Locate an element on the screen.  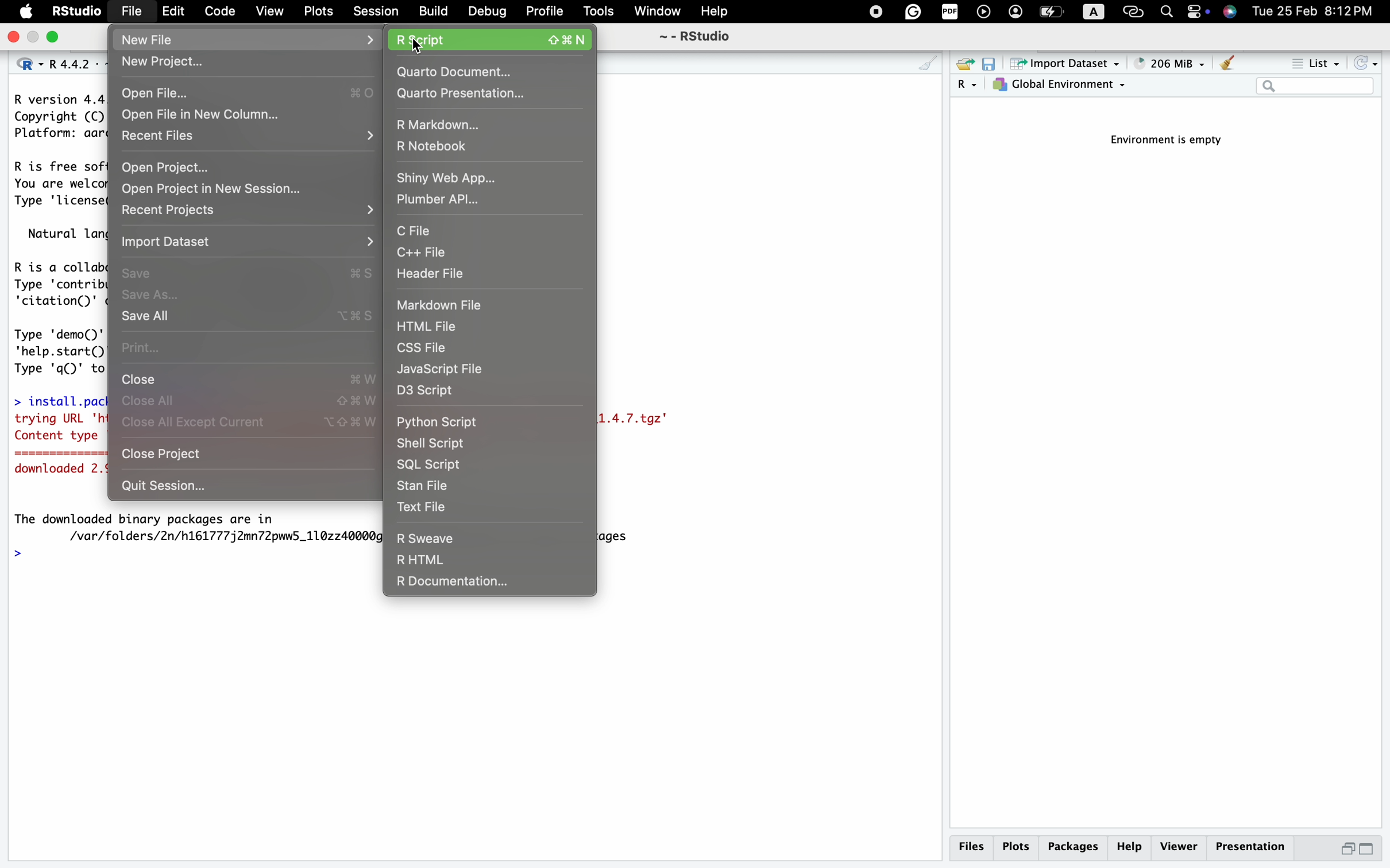
A is located at coordinates (1095, 12).